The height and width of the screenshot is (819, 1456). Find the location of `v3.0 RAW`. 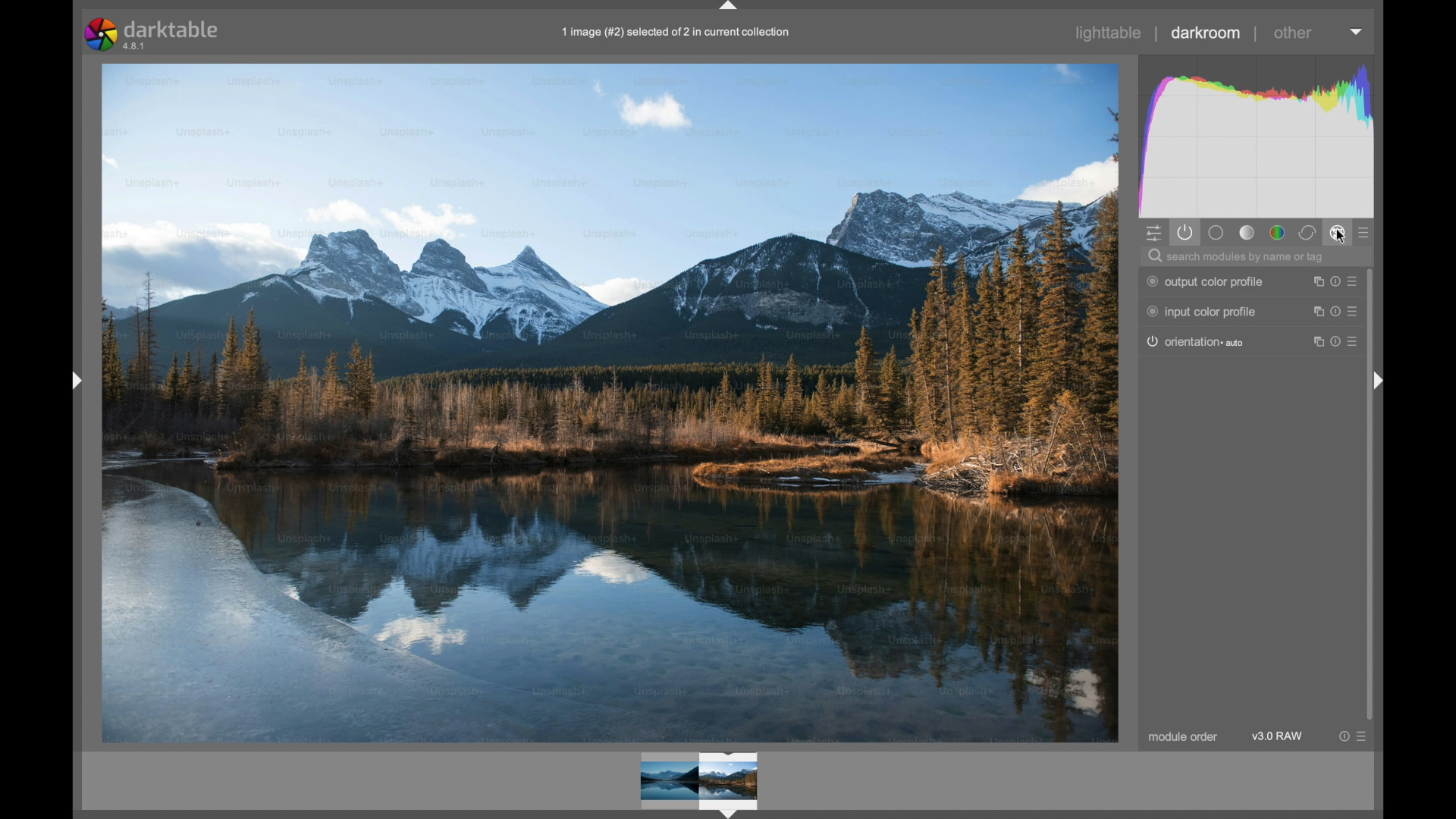

v3.0 RAW is located at coordinates (1277, 736).